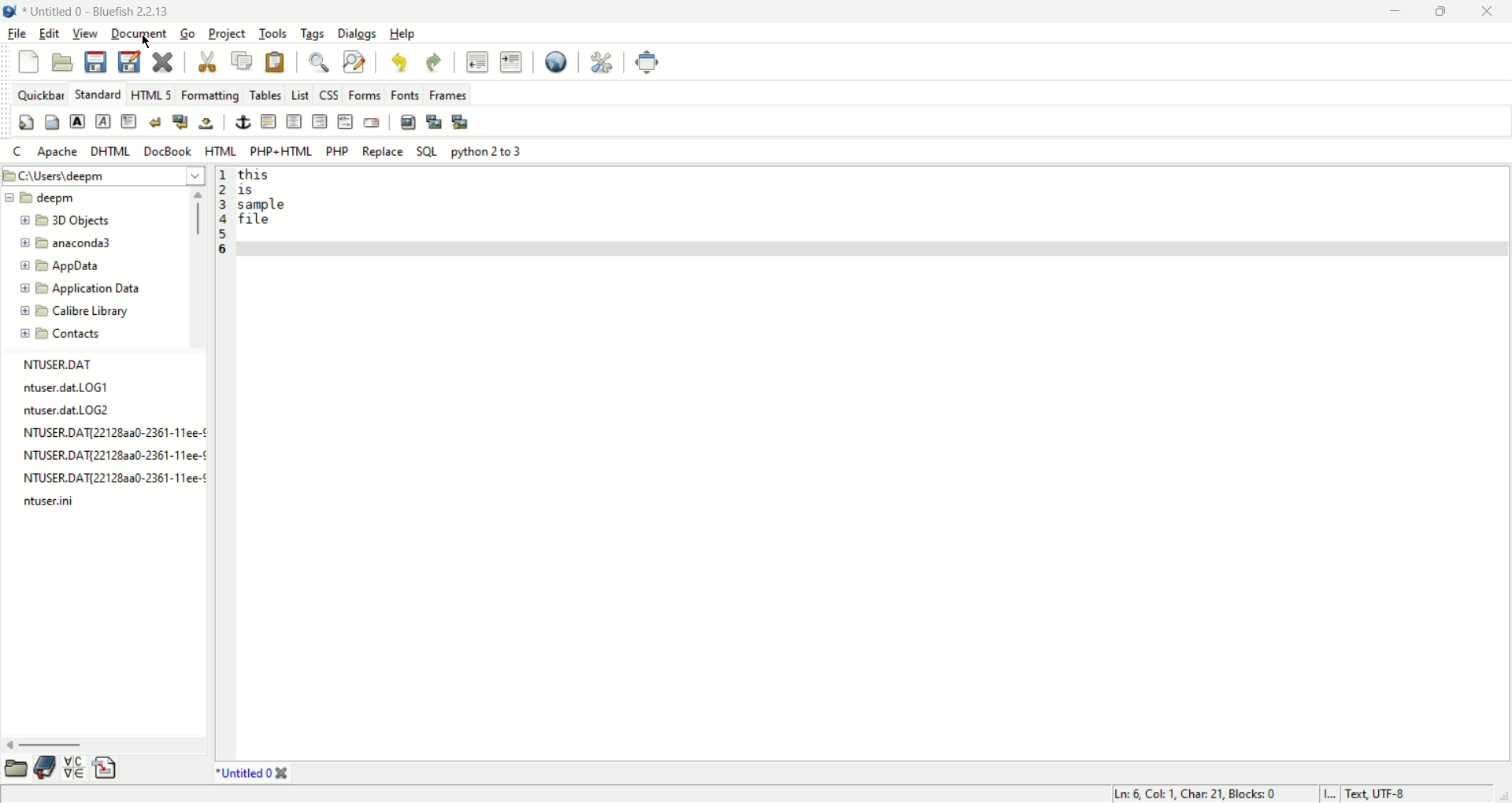 Image resolution: width=1512 pixels, height=803 pixels. What do you see at coordinates (65, 64) in the screenshot?
I see `open` at bounding box center [65, 64].